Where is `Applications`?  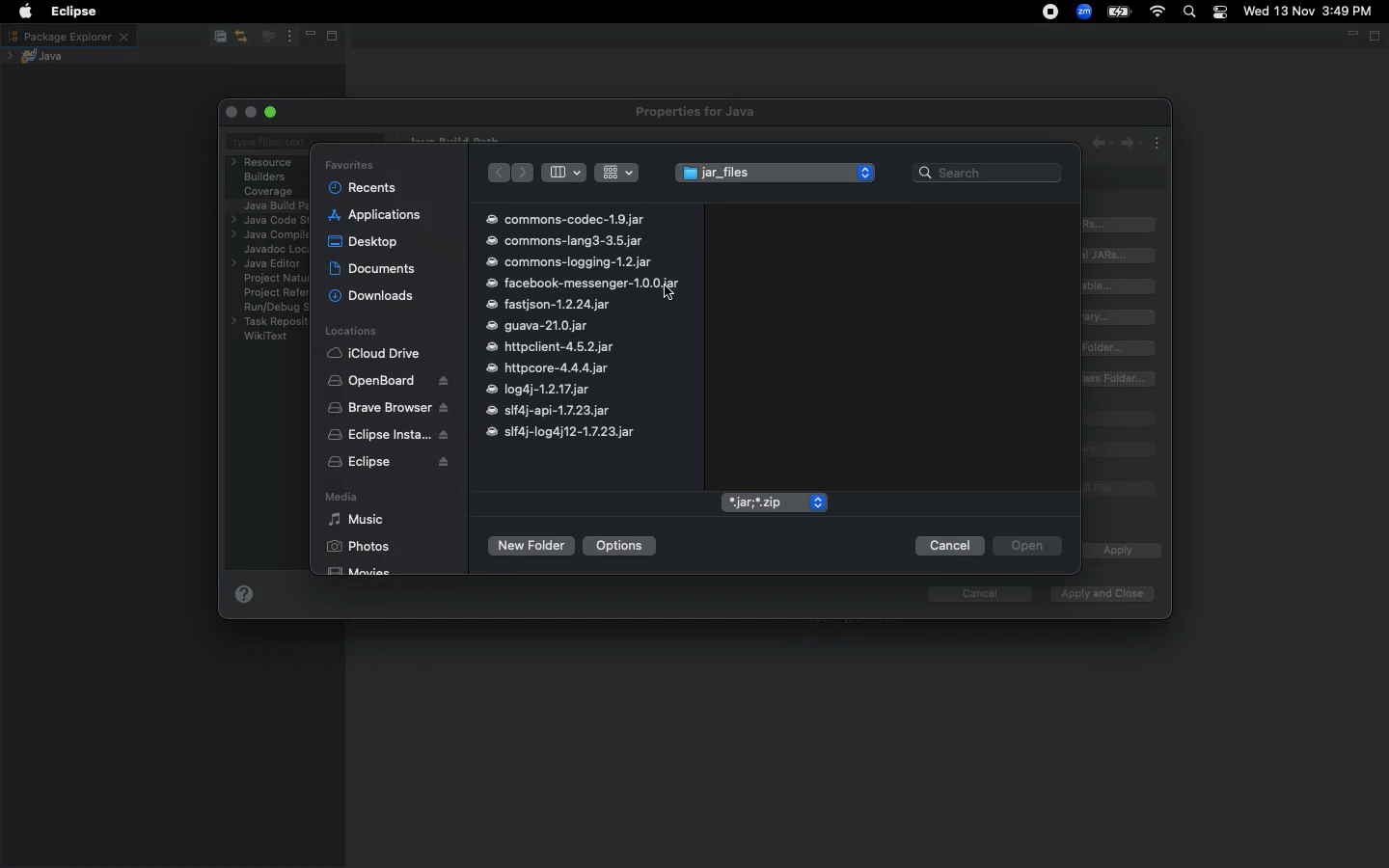
Applications is located at coordinates (375, 215).